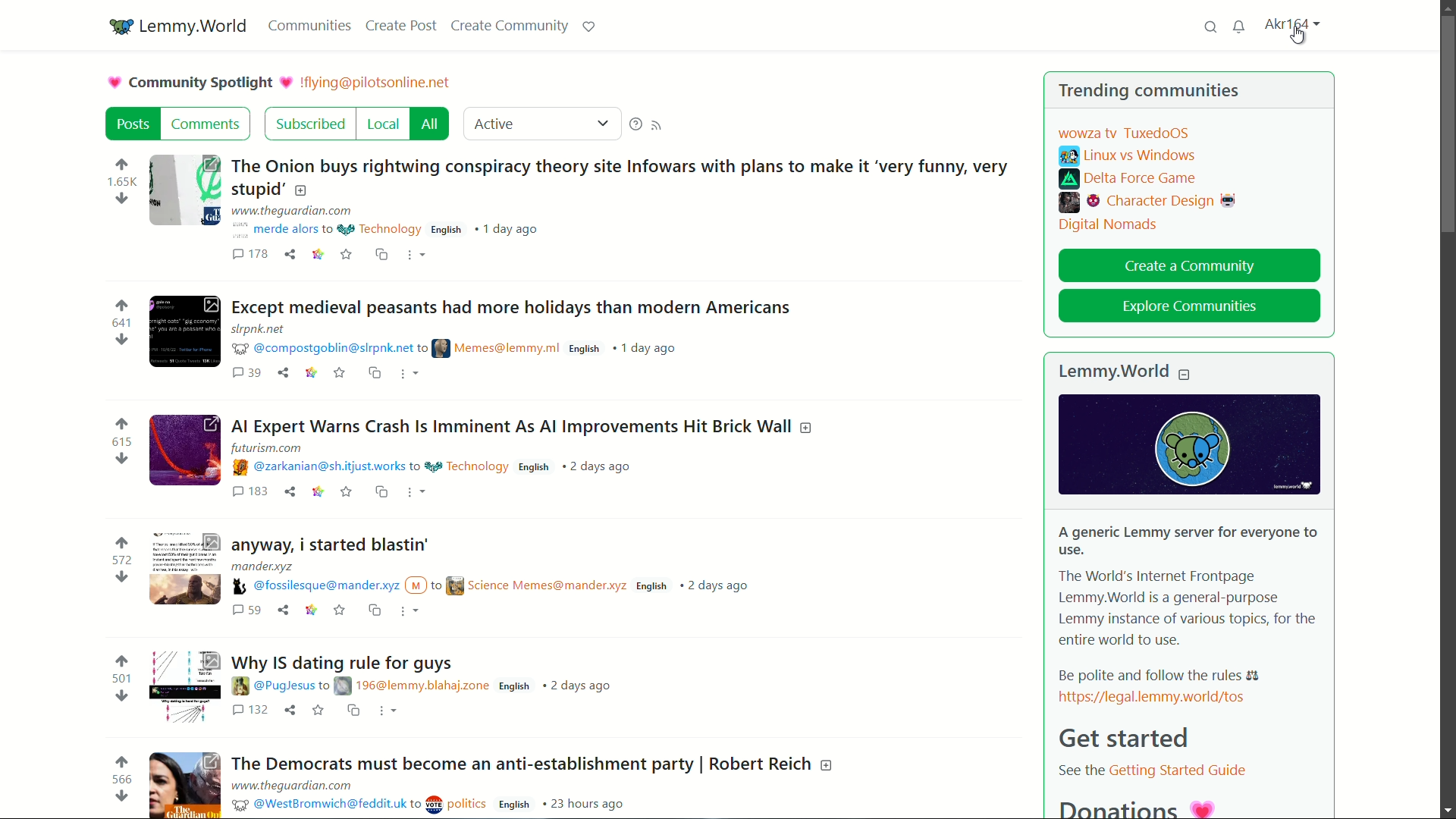 The height and width of the screenshot is (819, 1456). I want to click on image, so click(187, 567).